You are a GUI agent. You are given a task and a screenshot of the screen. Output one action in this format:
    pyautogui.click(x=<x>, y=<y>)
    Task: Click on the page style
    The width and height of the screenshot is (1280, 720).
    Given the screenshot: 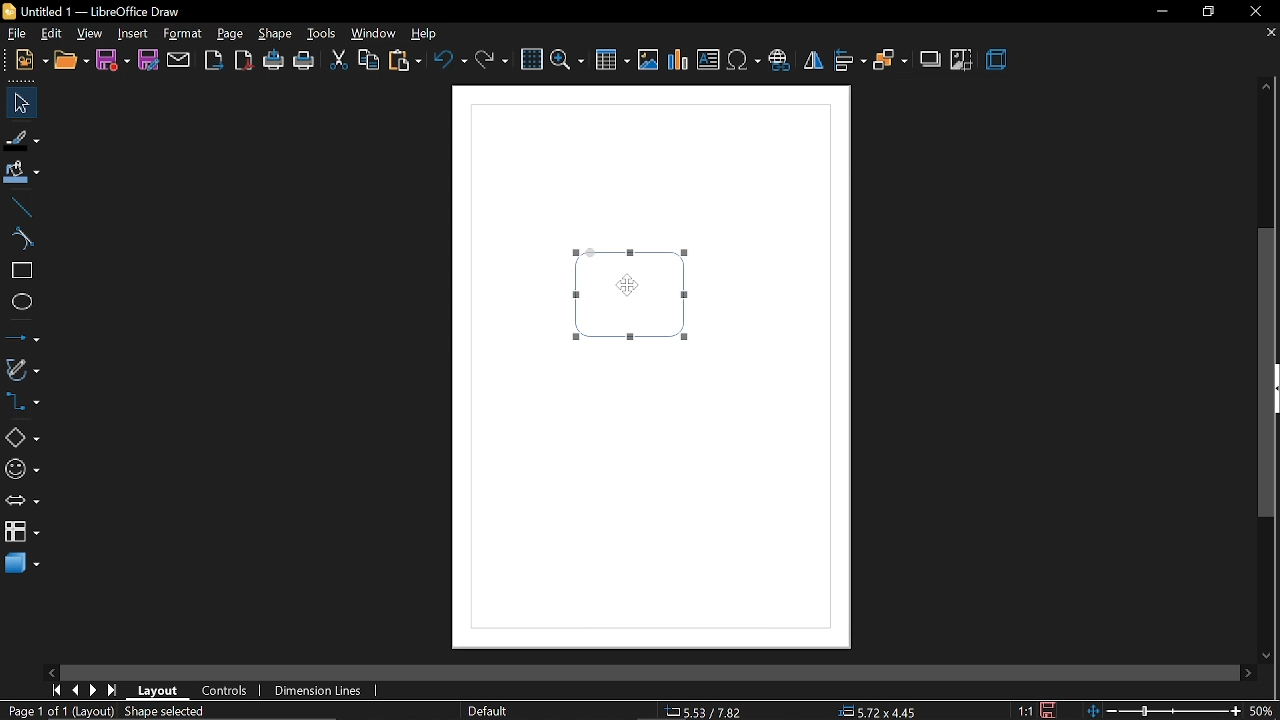 What is the action you would take?
    pyautogui.click(x=487, y=709)
    